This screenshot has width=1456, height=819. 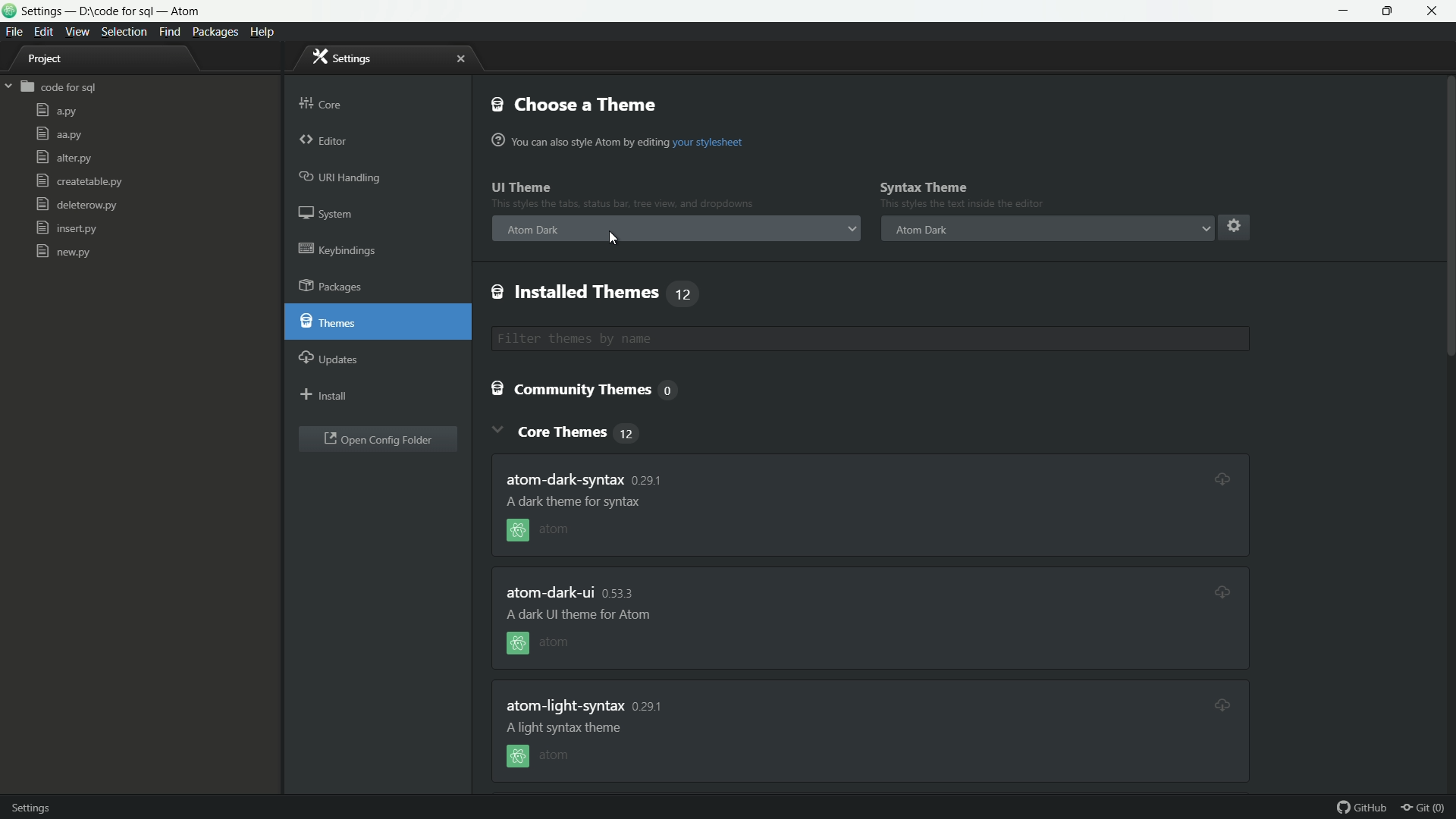 What do you see at coordinates (60, 88) in the screenshot?
I see `folder name` at bounding box center [60, 88].